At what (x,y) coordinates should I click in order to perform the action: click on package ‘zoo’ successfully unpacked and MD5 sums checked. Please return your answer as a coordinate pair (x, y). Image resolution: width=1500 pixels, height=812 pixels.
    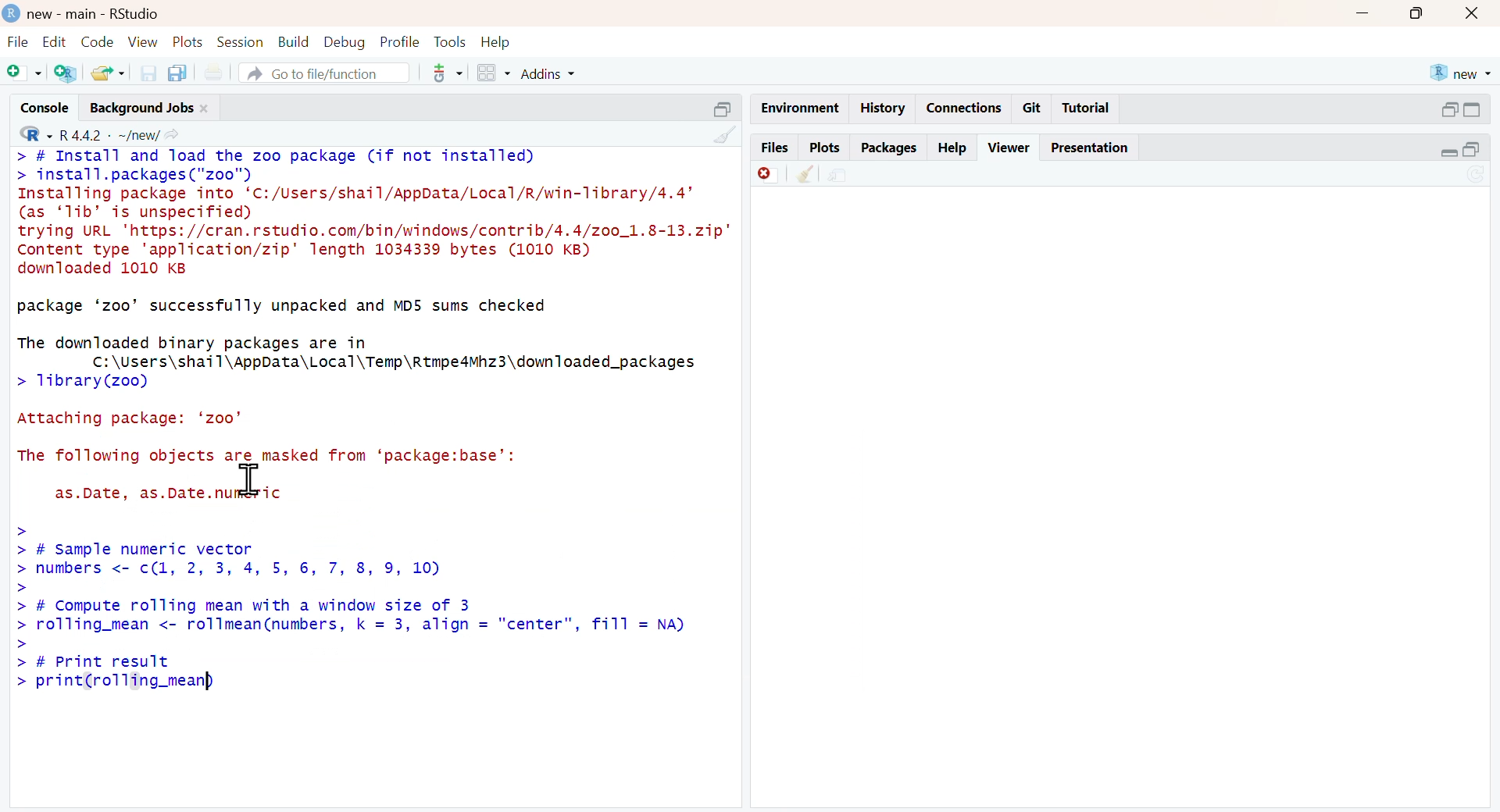
    Looking at the image, I should click on (284, 308).